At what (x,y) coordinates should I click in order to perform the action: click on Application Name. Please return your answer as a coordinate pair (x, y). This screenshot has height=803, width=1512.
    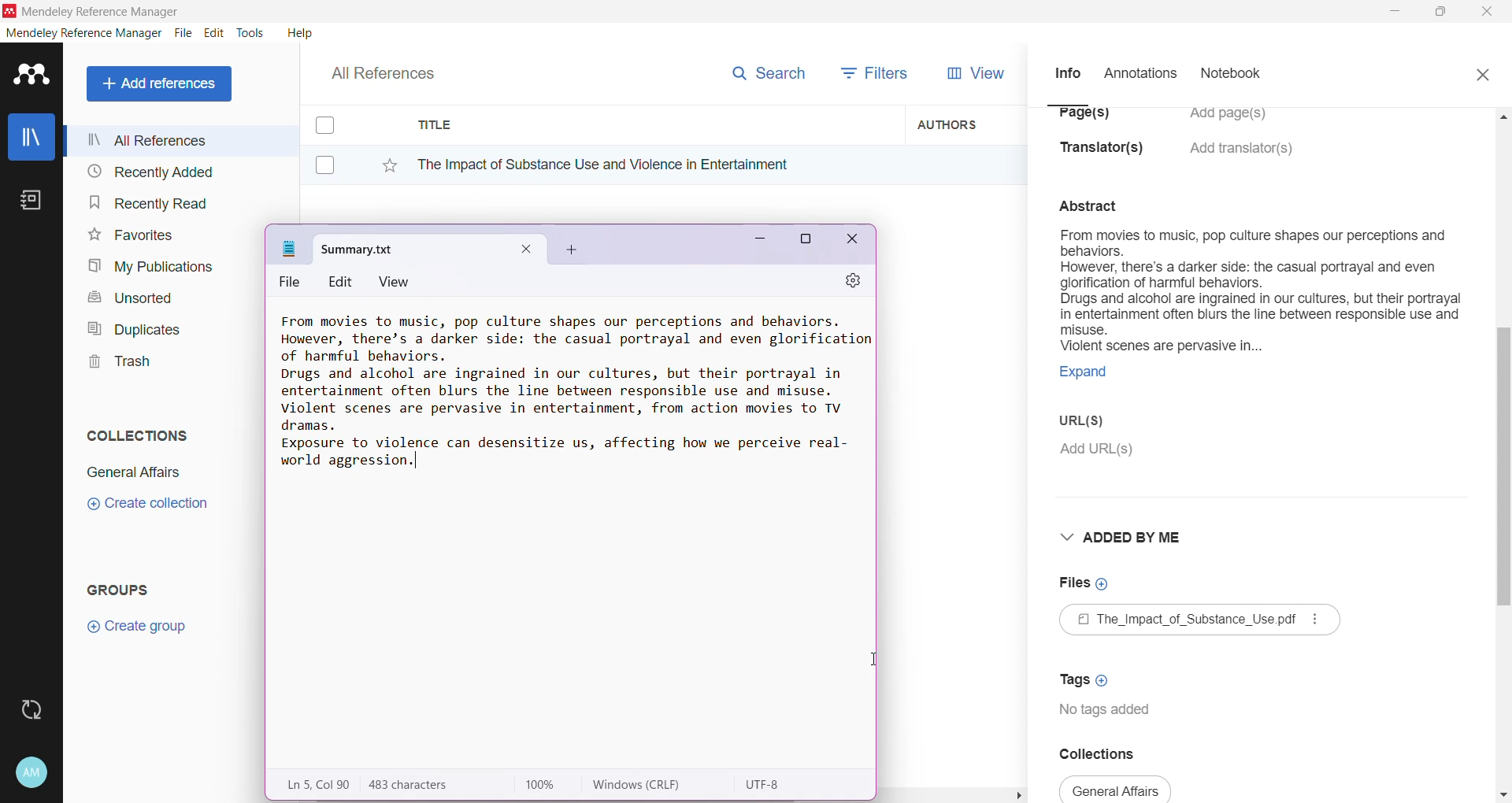
    Looking at the image, I should click on (94, 11).